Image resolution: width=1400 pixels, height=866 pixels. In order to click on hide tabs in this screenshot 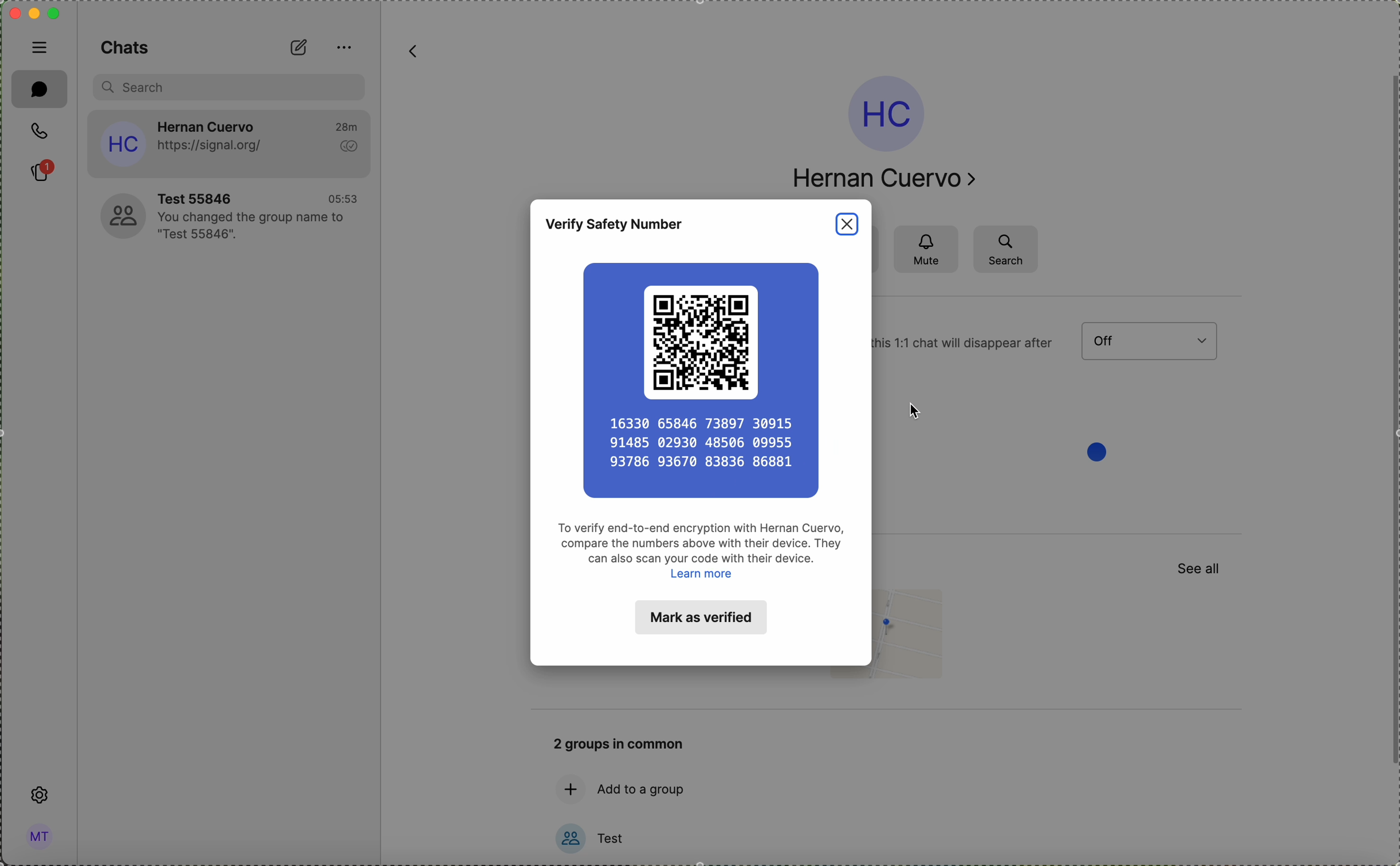, I will do `click(38, 48)`.